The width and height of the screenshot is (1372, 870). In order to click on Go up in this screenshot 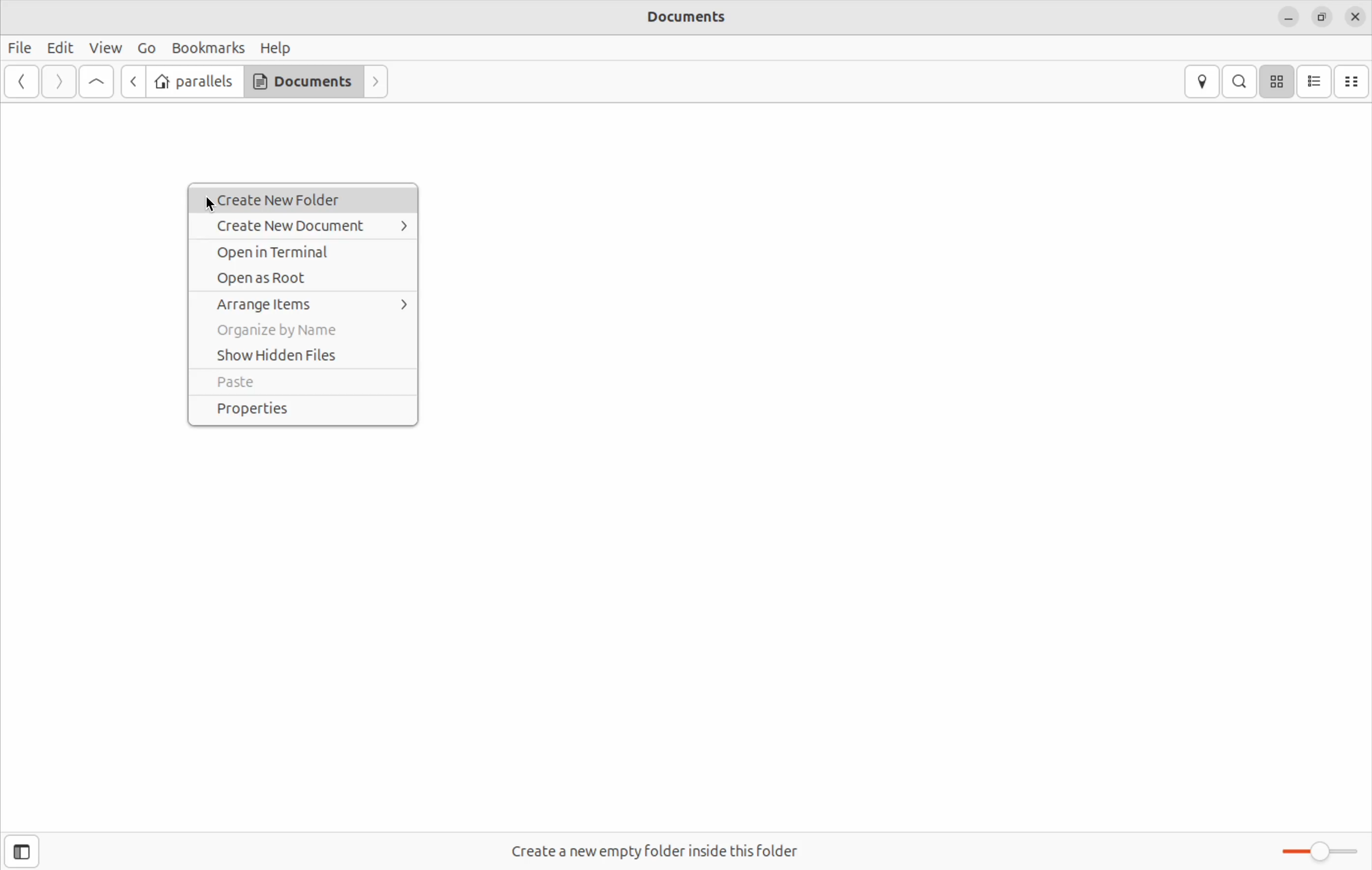, I will do `click(96, 81)`.